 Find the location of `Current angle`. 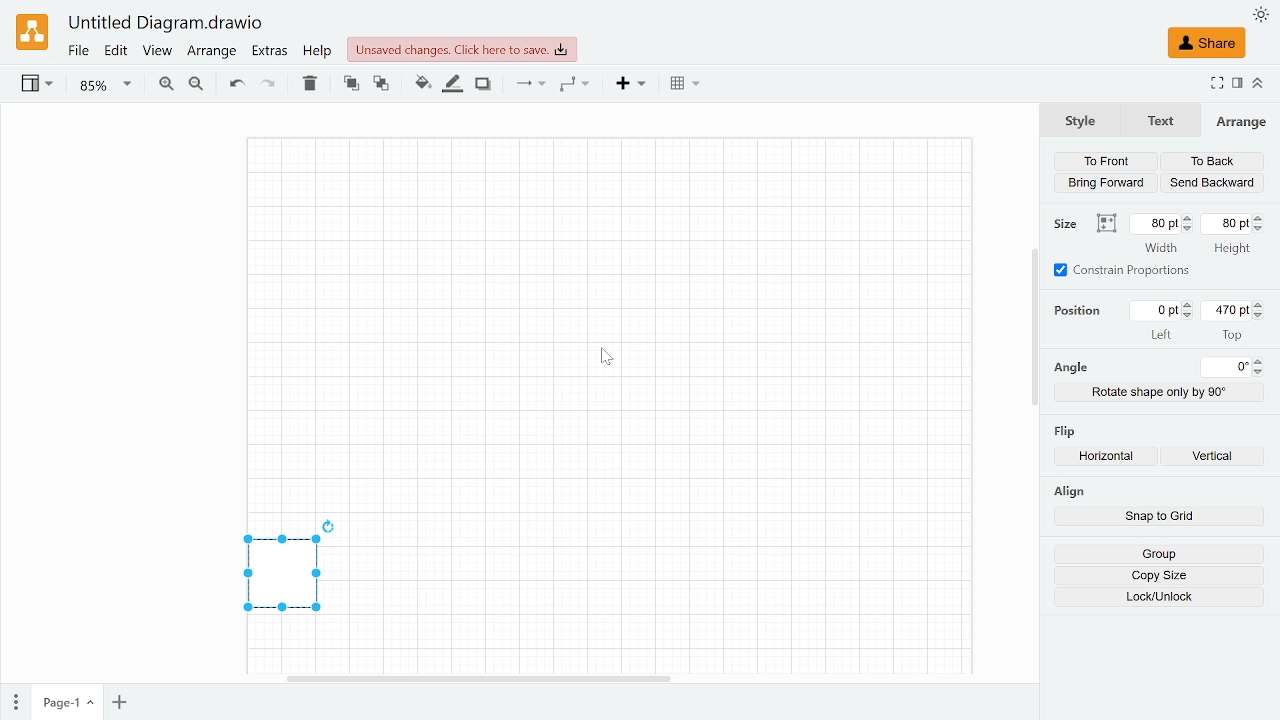

Current angle is located at coordinates (1227, 367).